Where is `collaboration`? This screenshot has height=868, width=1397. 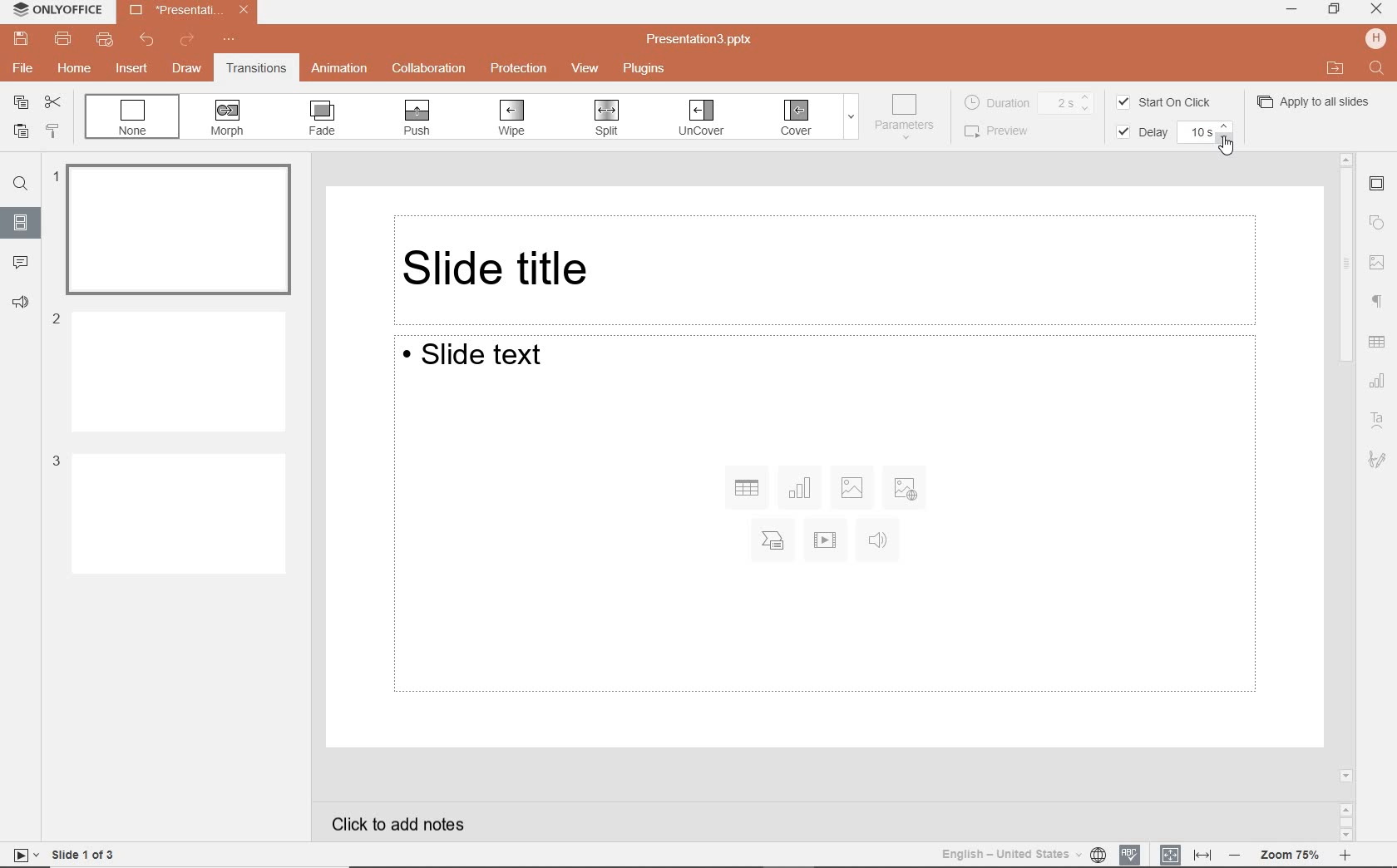
collaboration is located at coordinates (429, 68).